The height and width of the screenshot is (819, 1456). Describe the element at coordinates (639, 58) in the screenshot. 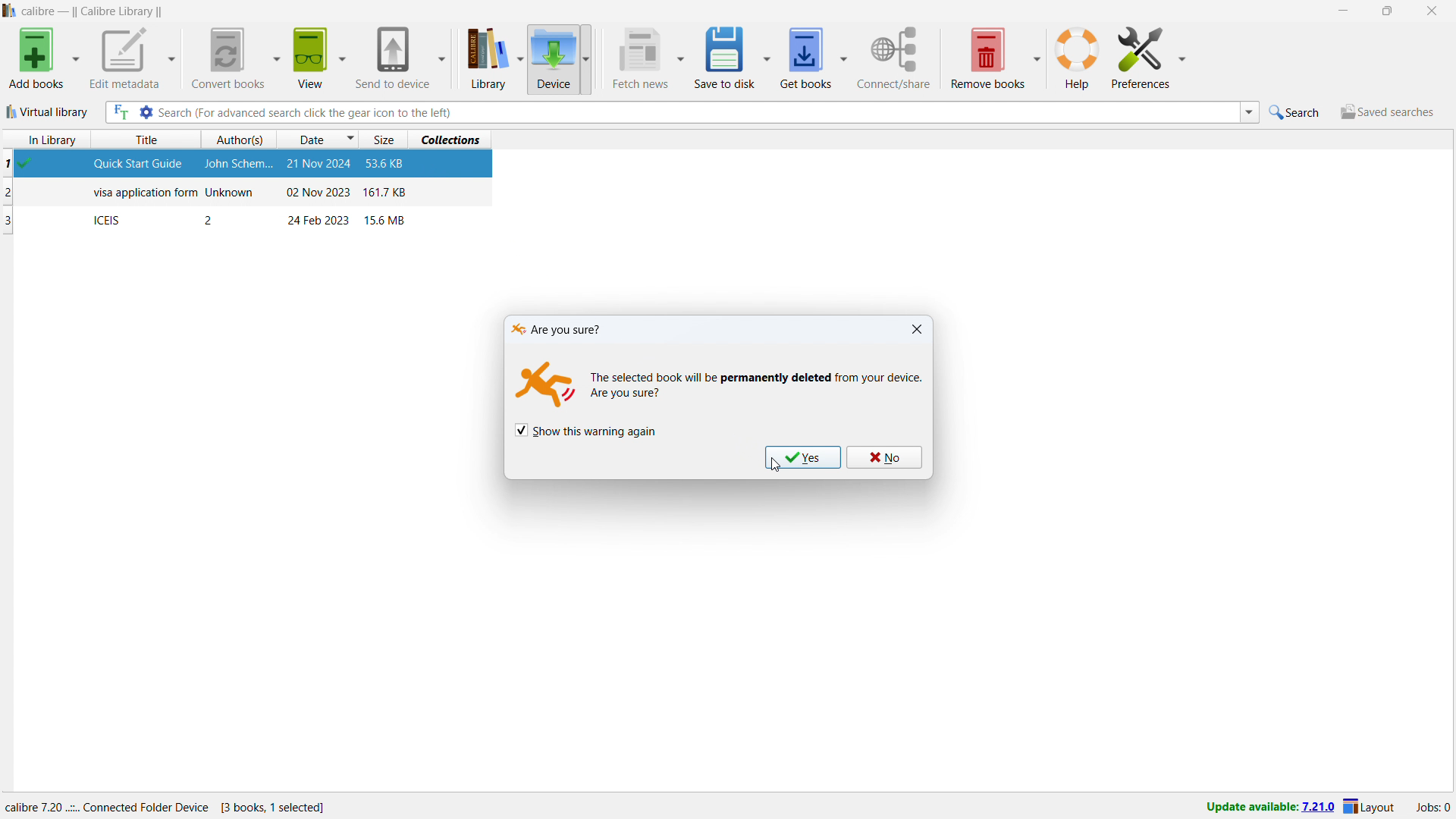

I see `fetch news` at that location.